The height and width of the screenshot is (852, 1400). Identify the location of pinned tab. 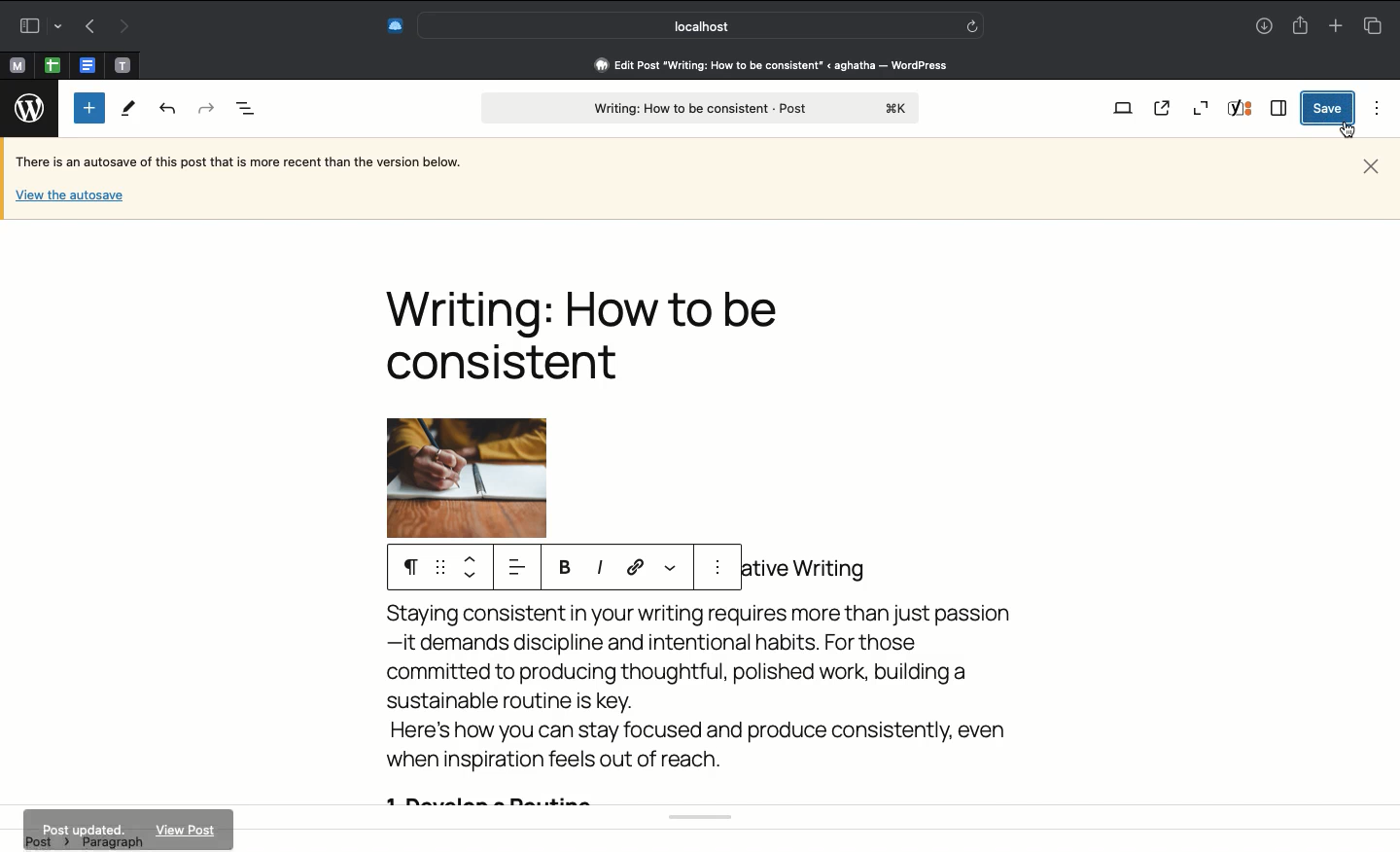
(124, 62).